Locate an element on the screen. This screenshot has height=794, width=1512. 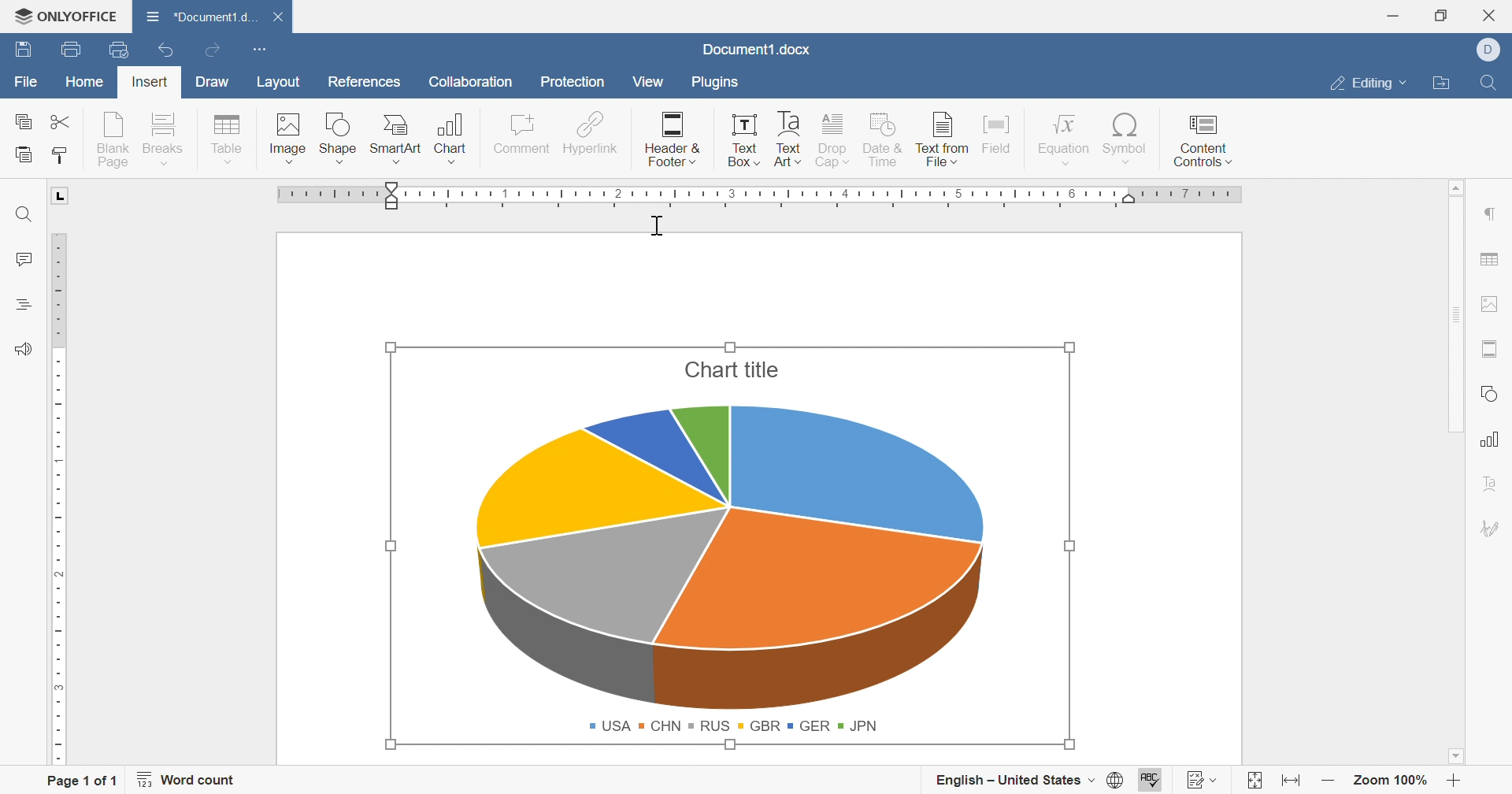
Ruler is located at coordinates (759, 196).